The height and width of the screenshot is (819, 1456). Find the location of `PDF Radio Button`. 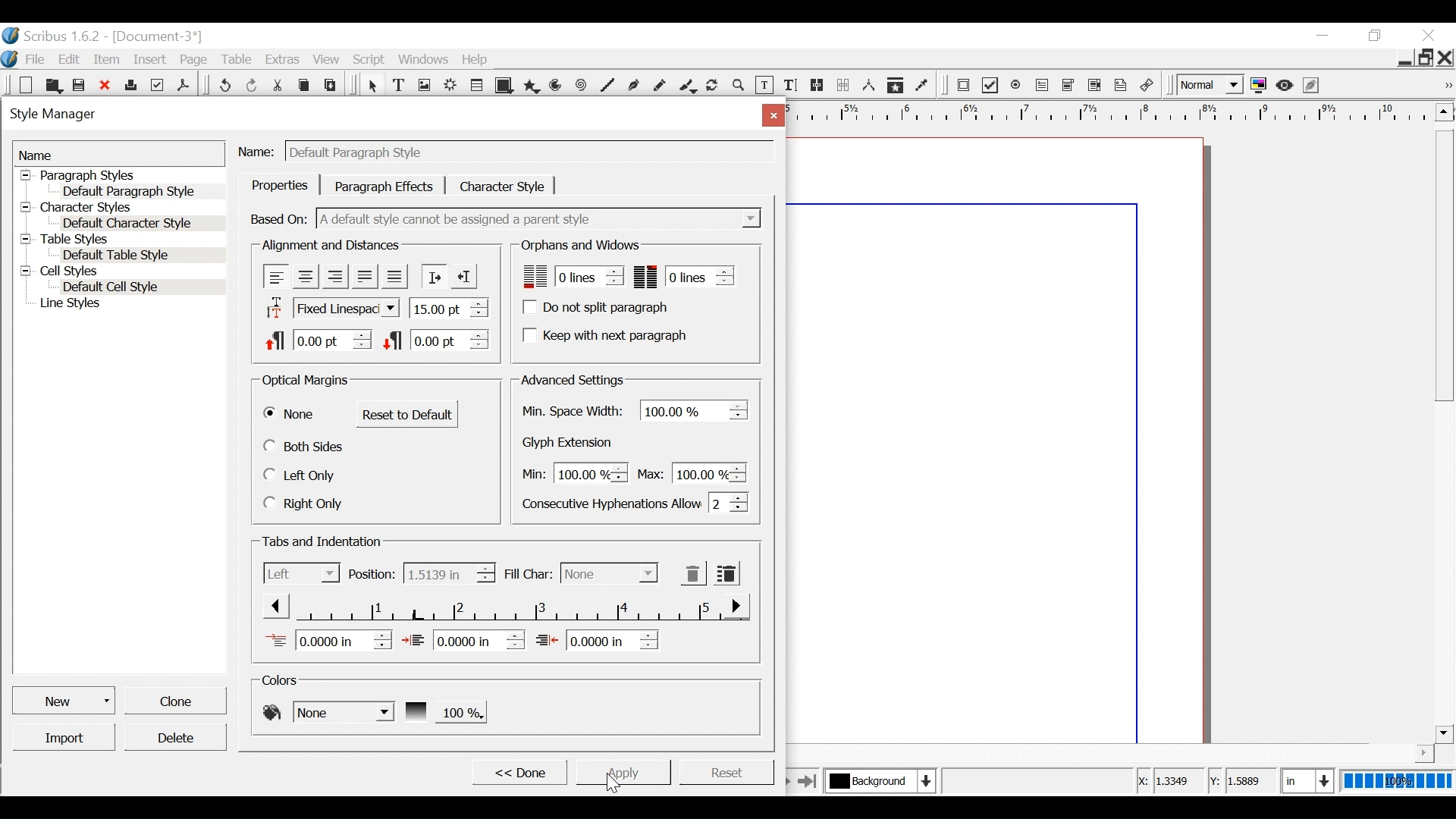

PDF Radio Button is located at coordinates (1017, 86).